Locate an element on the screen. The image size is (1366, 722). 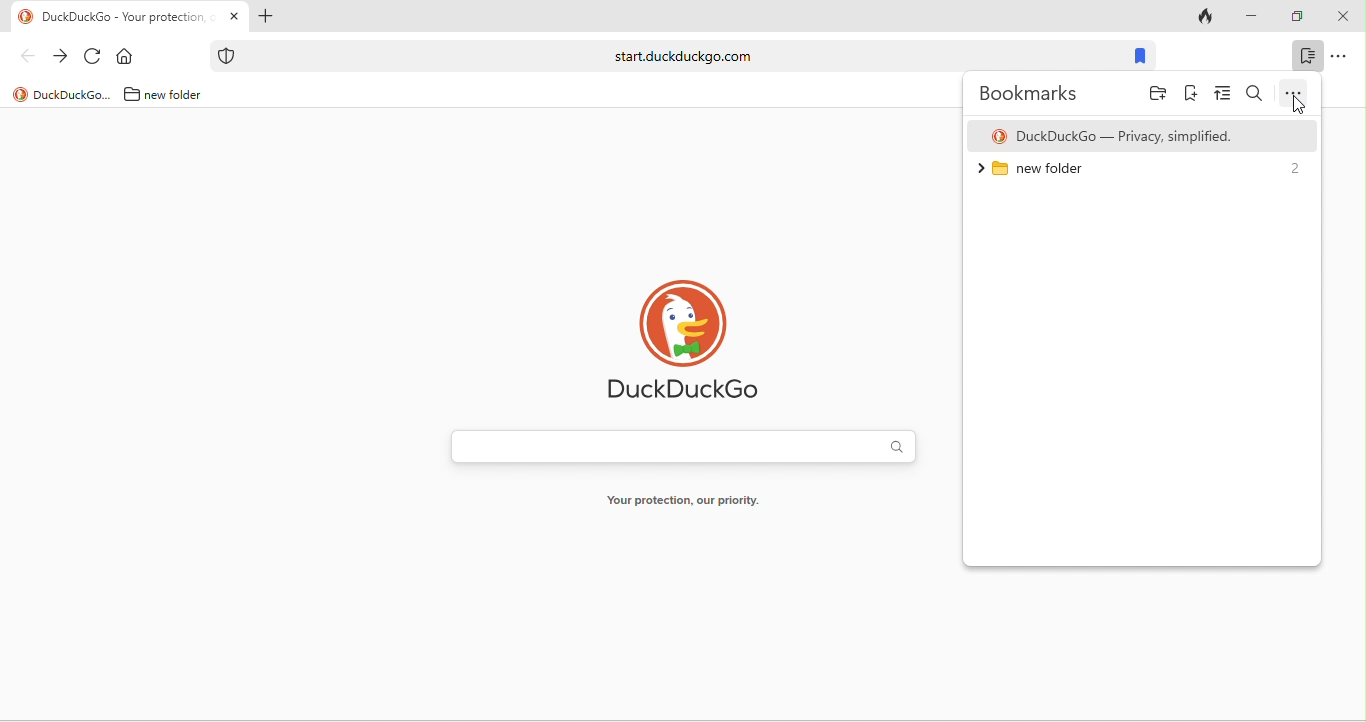
home is located at coordinates (129, 57).